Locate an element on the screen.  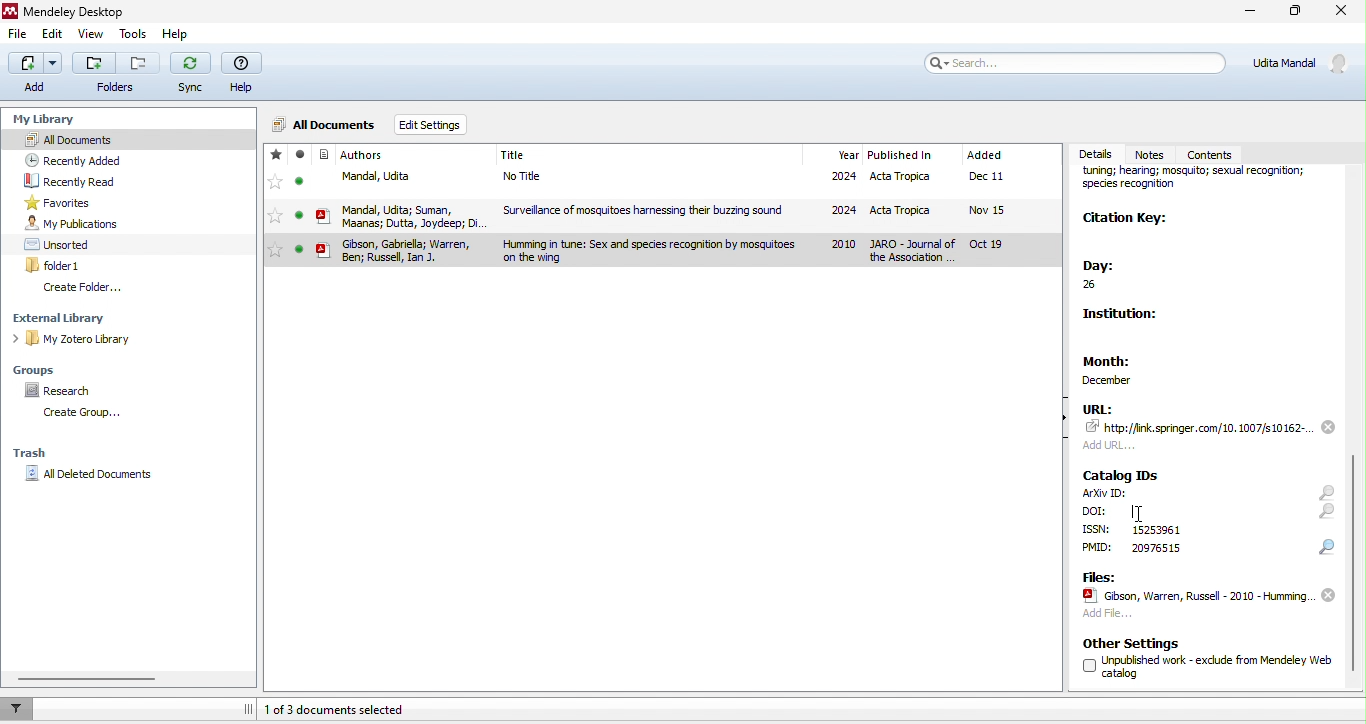
notes is located at coordinates (1153, 154).